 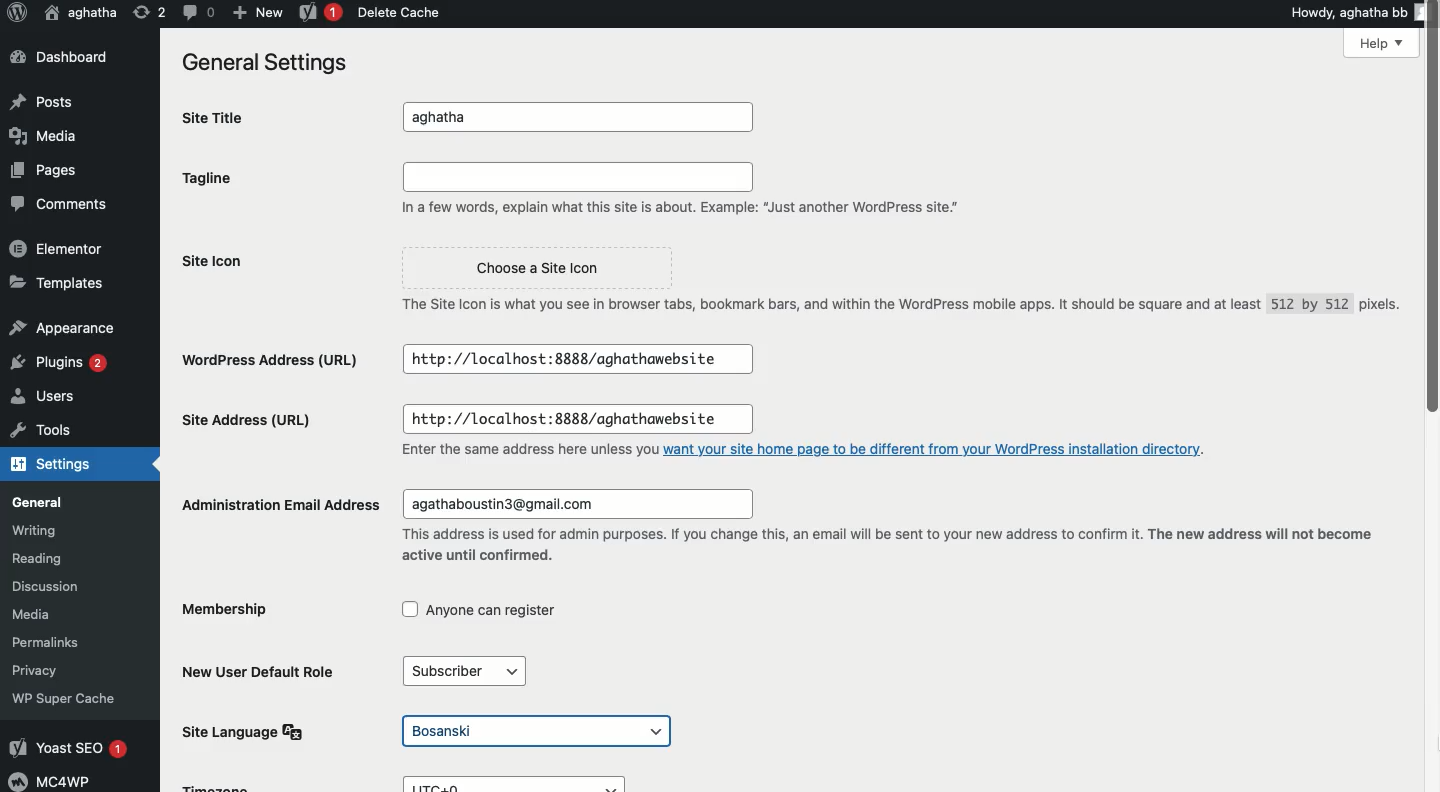 I want to click on Choose a Site Icon, so click(x=534, y=269).